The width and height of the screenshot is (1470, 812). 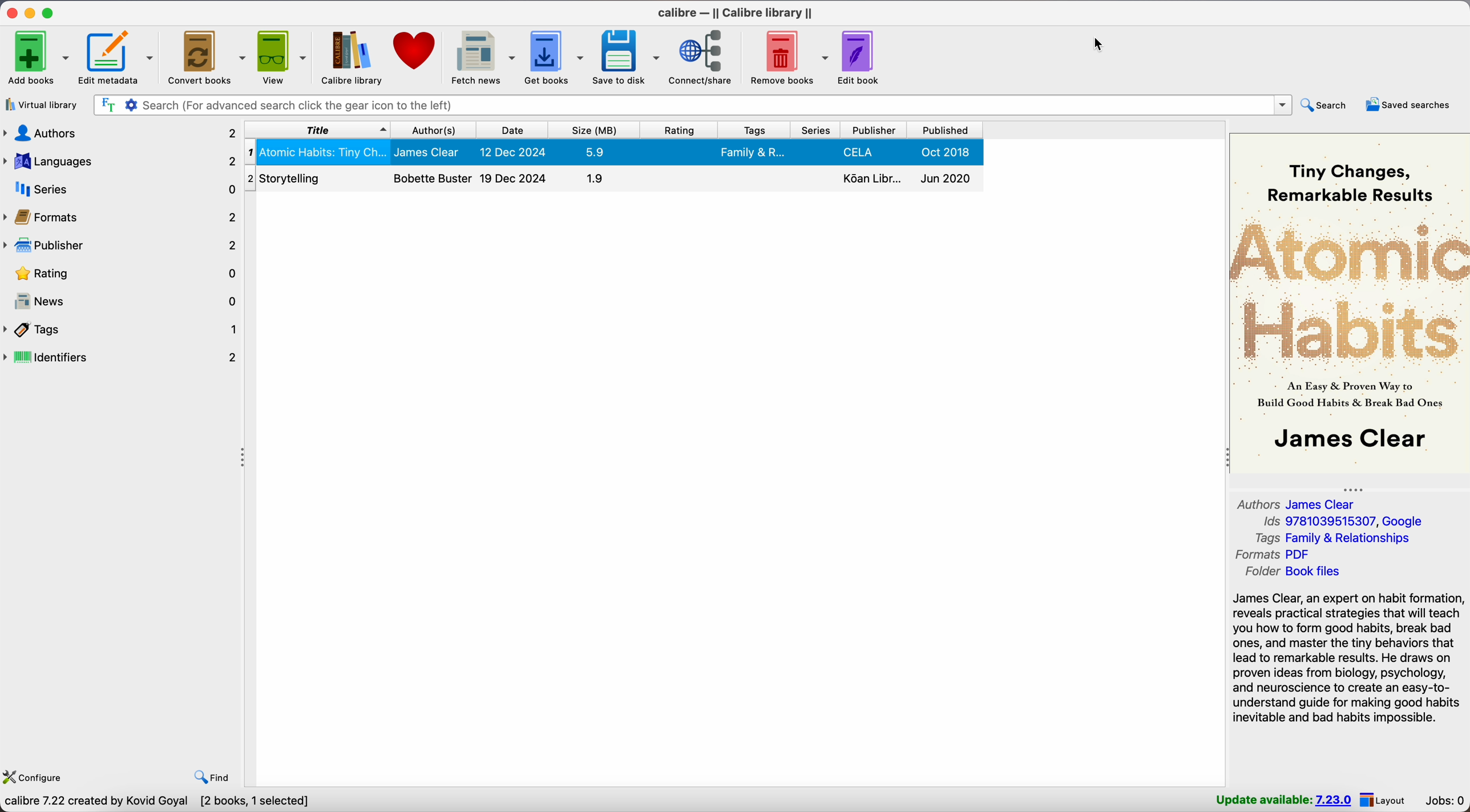 I want to click on rating, so click(x=679, y=130).